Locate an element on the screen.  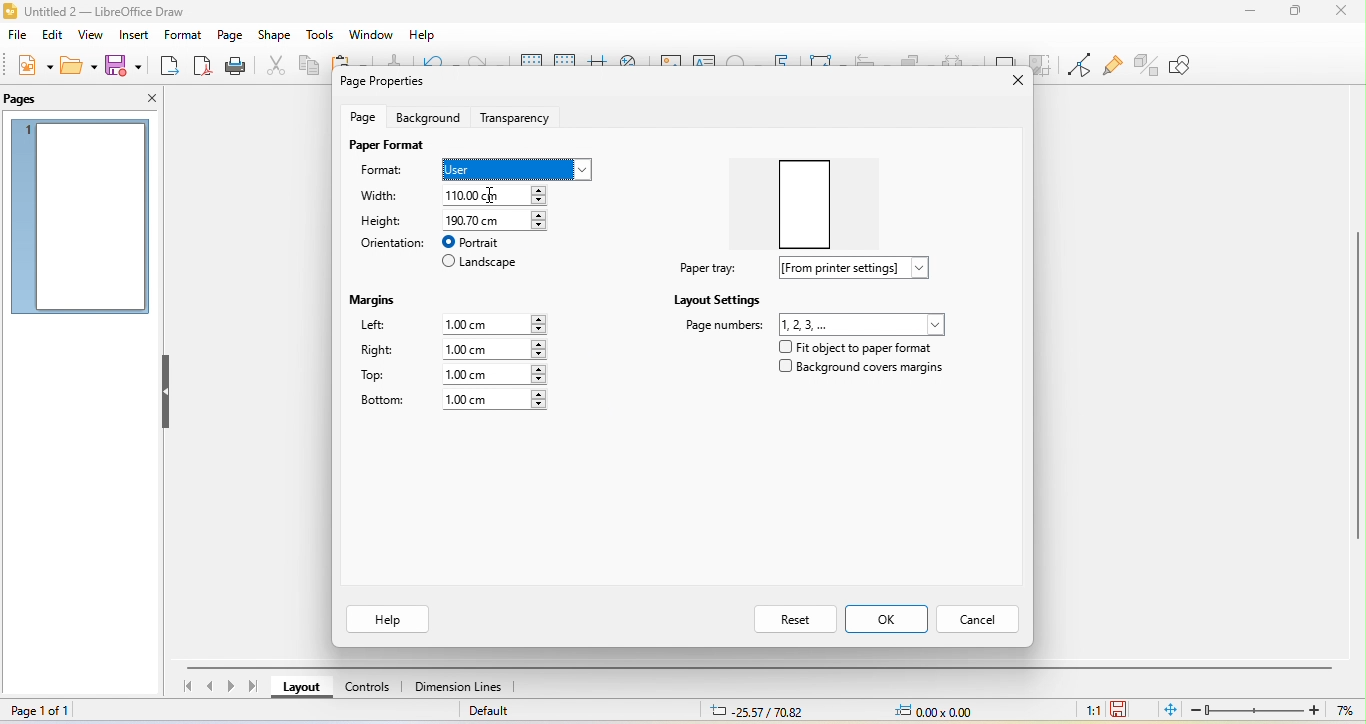
cancel is located at coordinates (981, 617).